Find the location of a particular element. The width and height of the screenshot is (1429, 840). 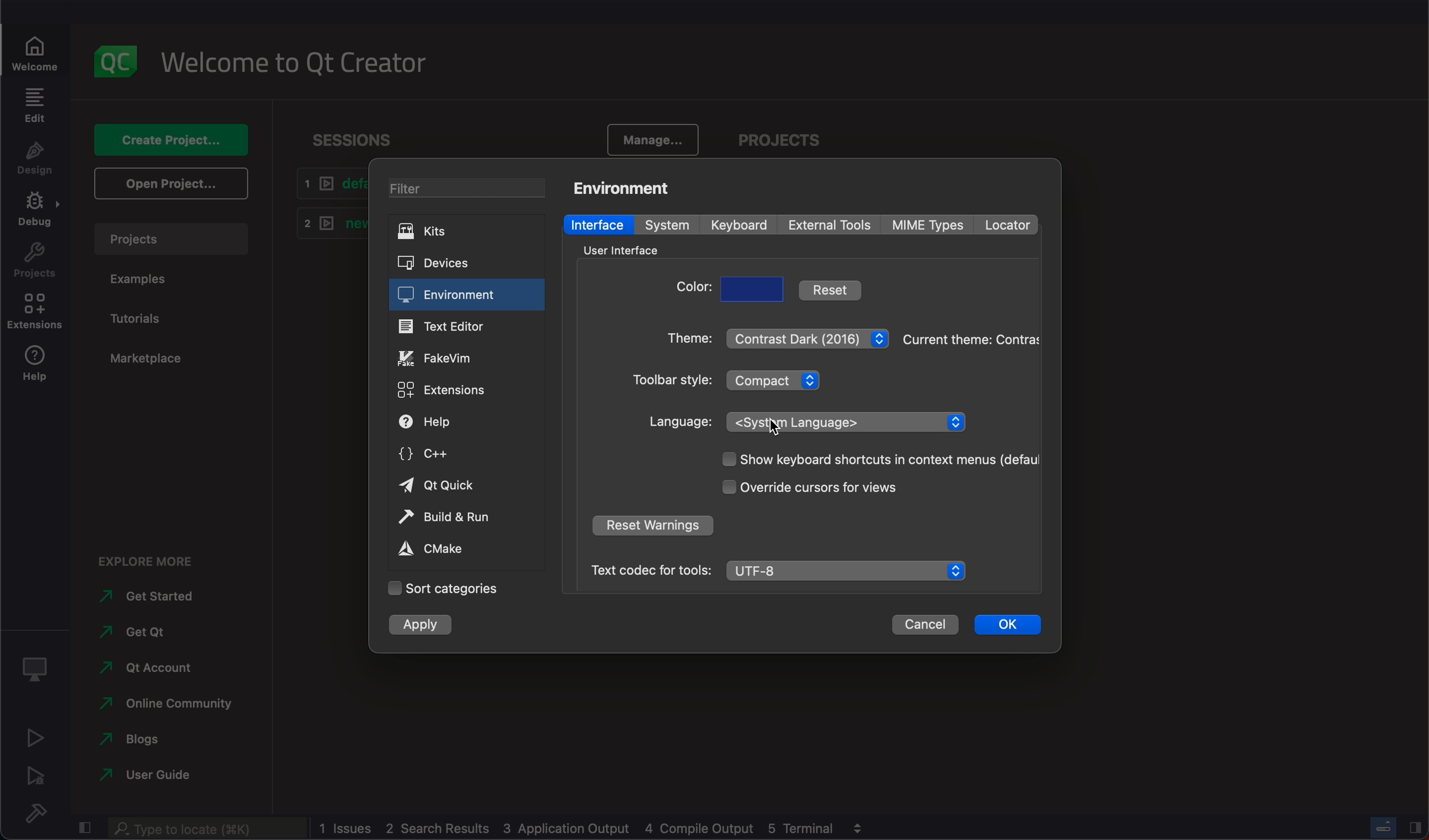

theme menu is located at coordinates (807, 338).